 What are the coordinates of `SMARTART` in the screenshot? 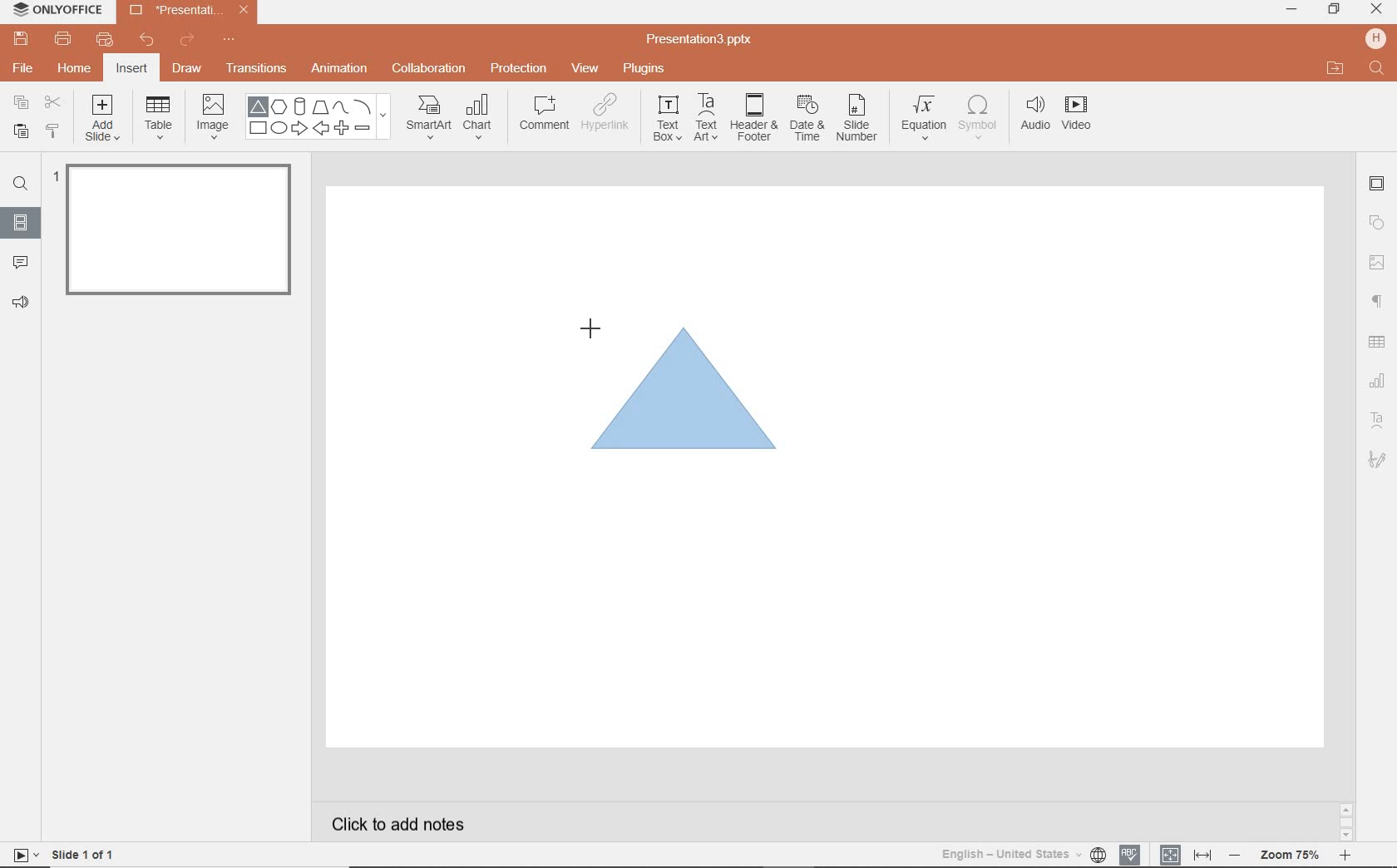 It's located at (429, 123).